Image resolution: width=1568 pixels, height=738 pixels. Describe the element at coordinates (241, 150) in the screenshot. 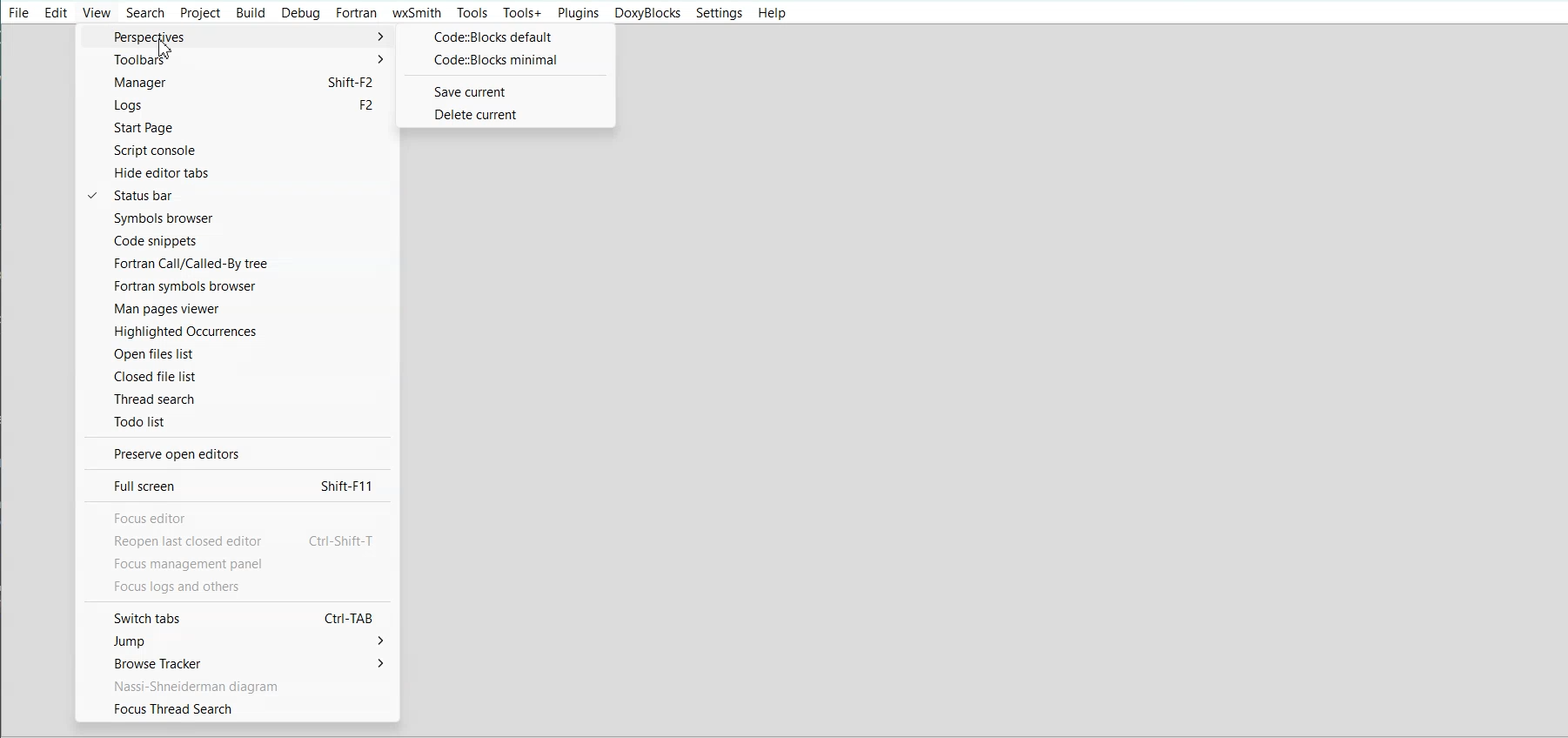

I see `Script console` at that location.